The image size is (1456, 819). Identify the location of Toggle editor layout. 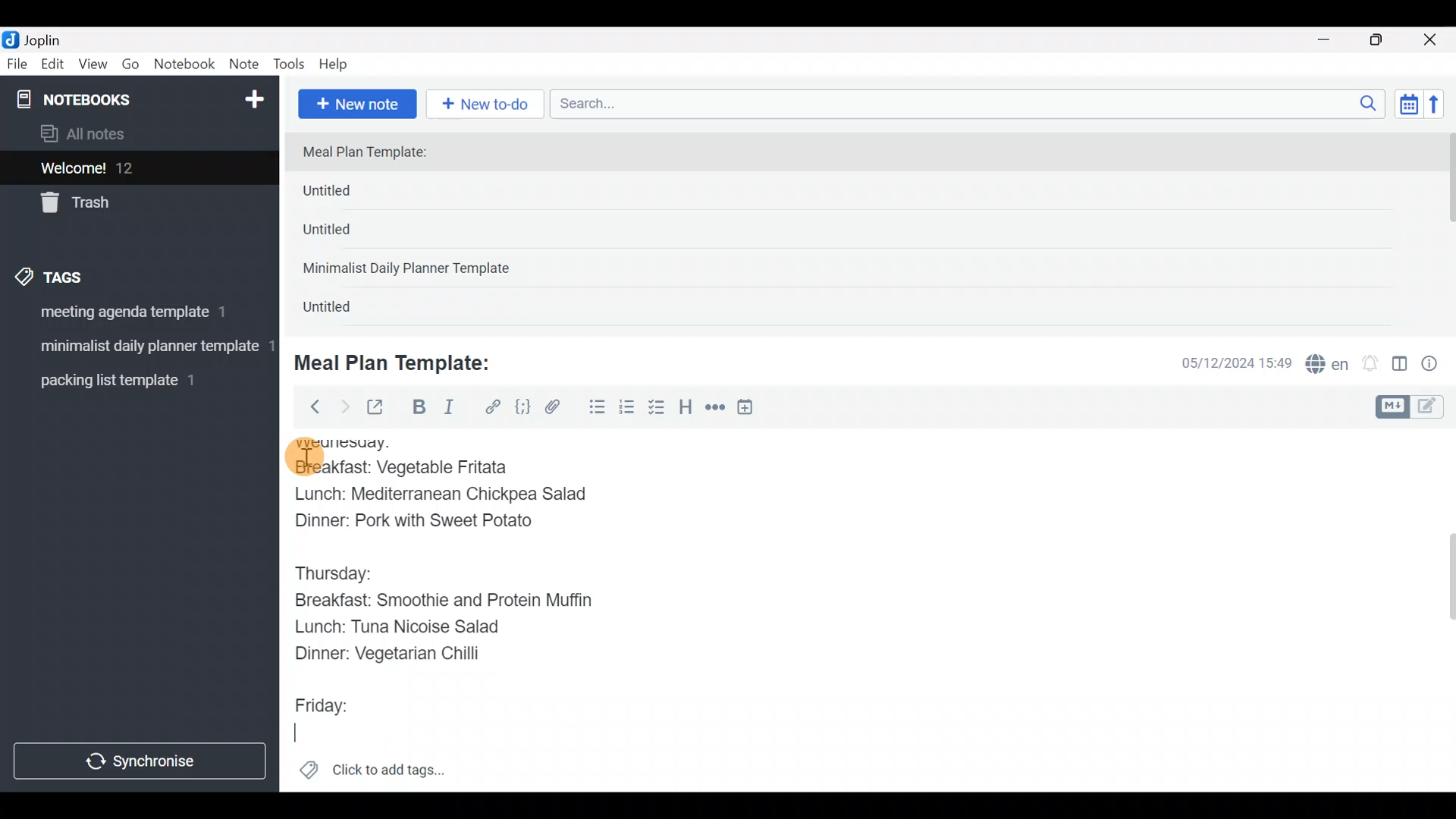
(1401, 366).